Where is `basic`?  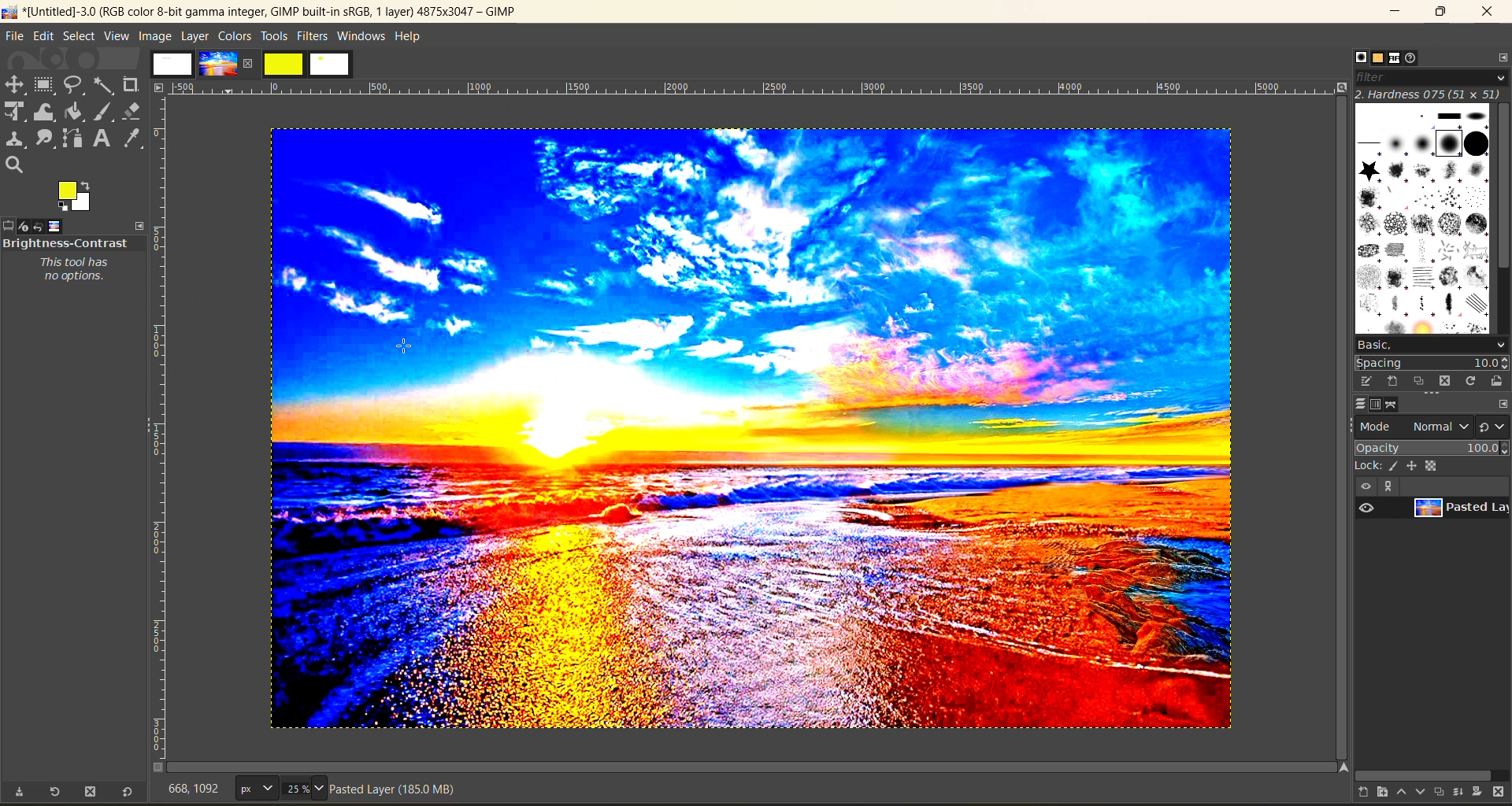
basic is located at coordinates (1431, 345).